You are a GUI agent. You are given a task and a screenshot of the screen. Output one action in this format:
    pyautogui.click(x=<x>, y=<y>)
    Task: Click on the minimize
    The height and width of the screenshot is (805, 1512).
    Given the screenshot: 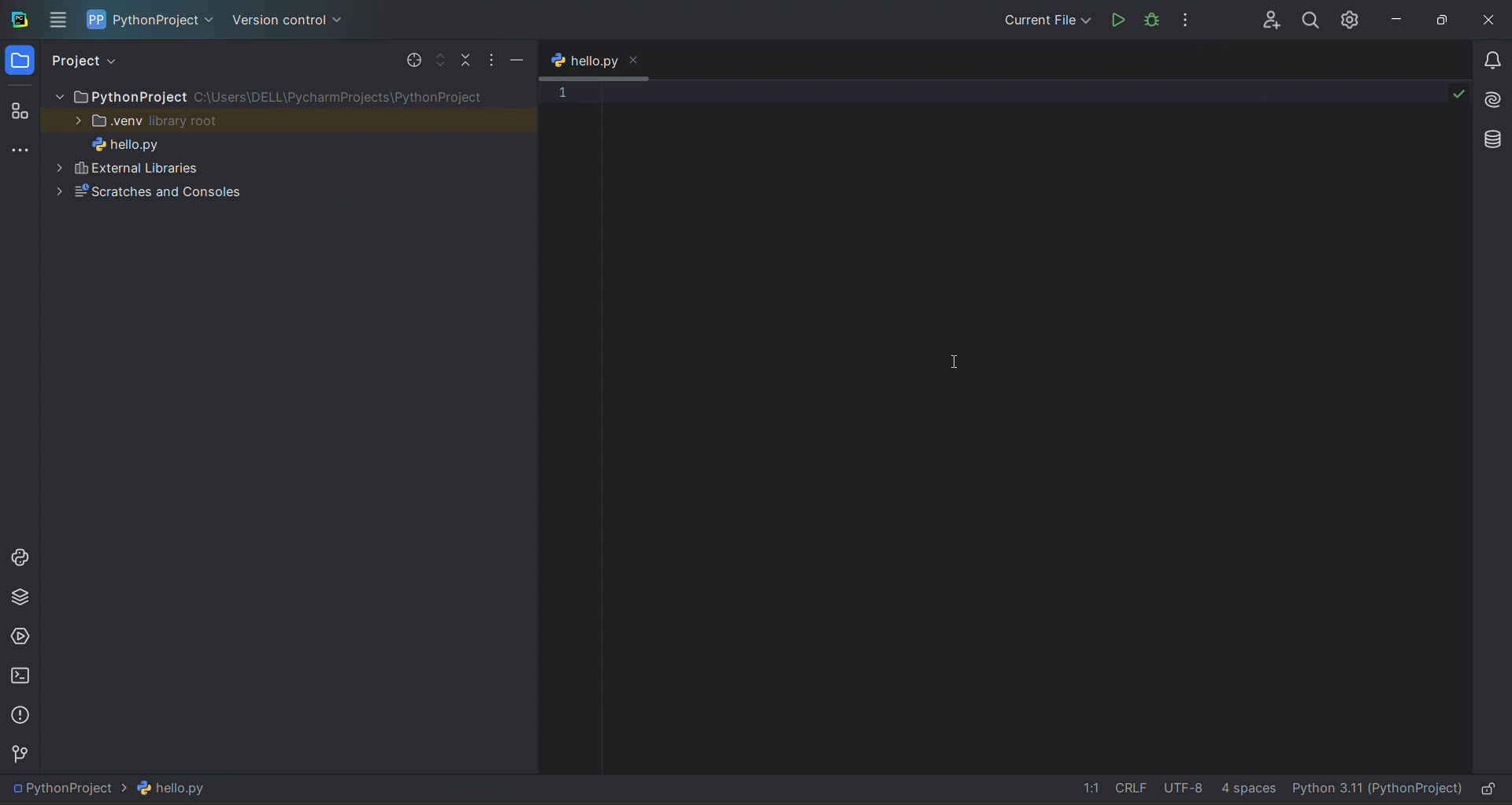 What is the action you would take?
    pyautogui.click(x=521, y=61)
    